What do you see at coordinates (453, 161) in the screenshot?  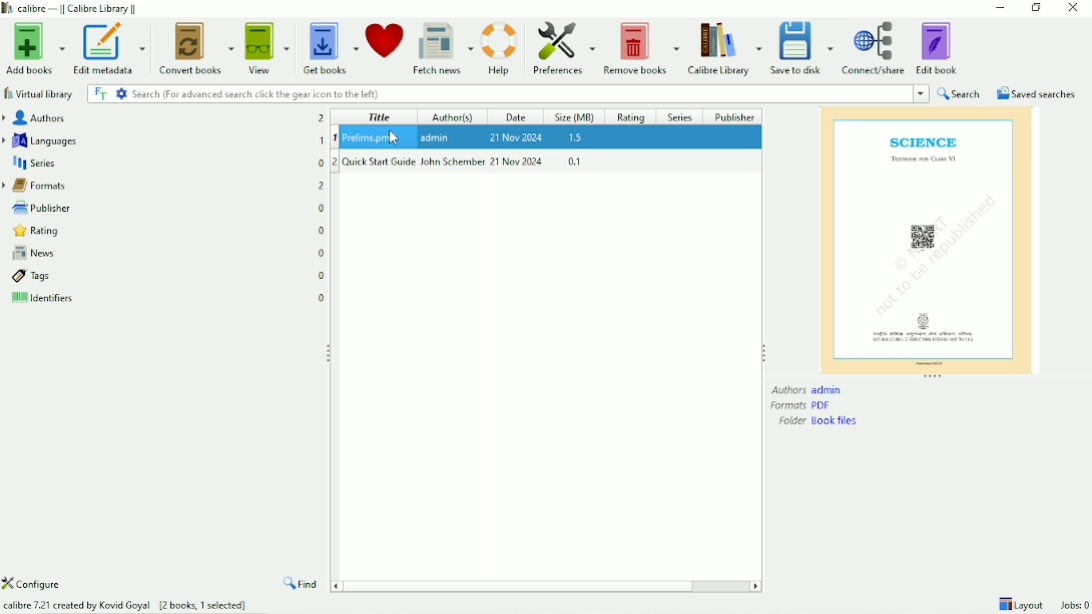 I see `John Schember` at bounding box center [453, 161].